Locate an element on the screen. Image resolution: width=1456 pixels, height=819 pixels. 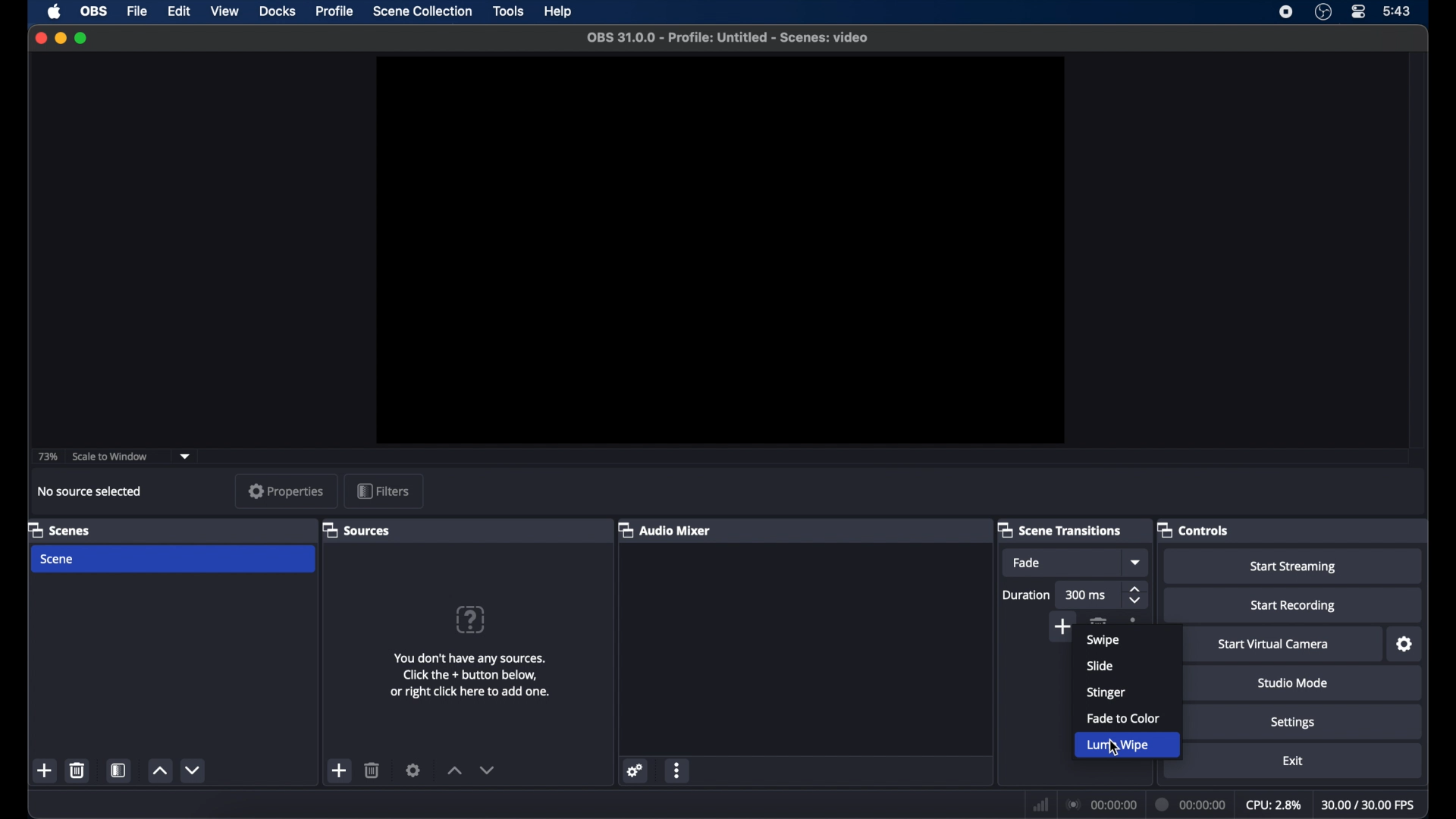
file is located at coordinates (137, 11).